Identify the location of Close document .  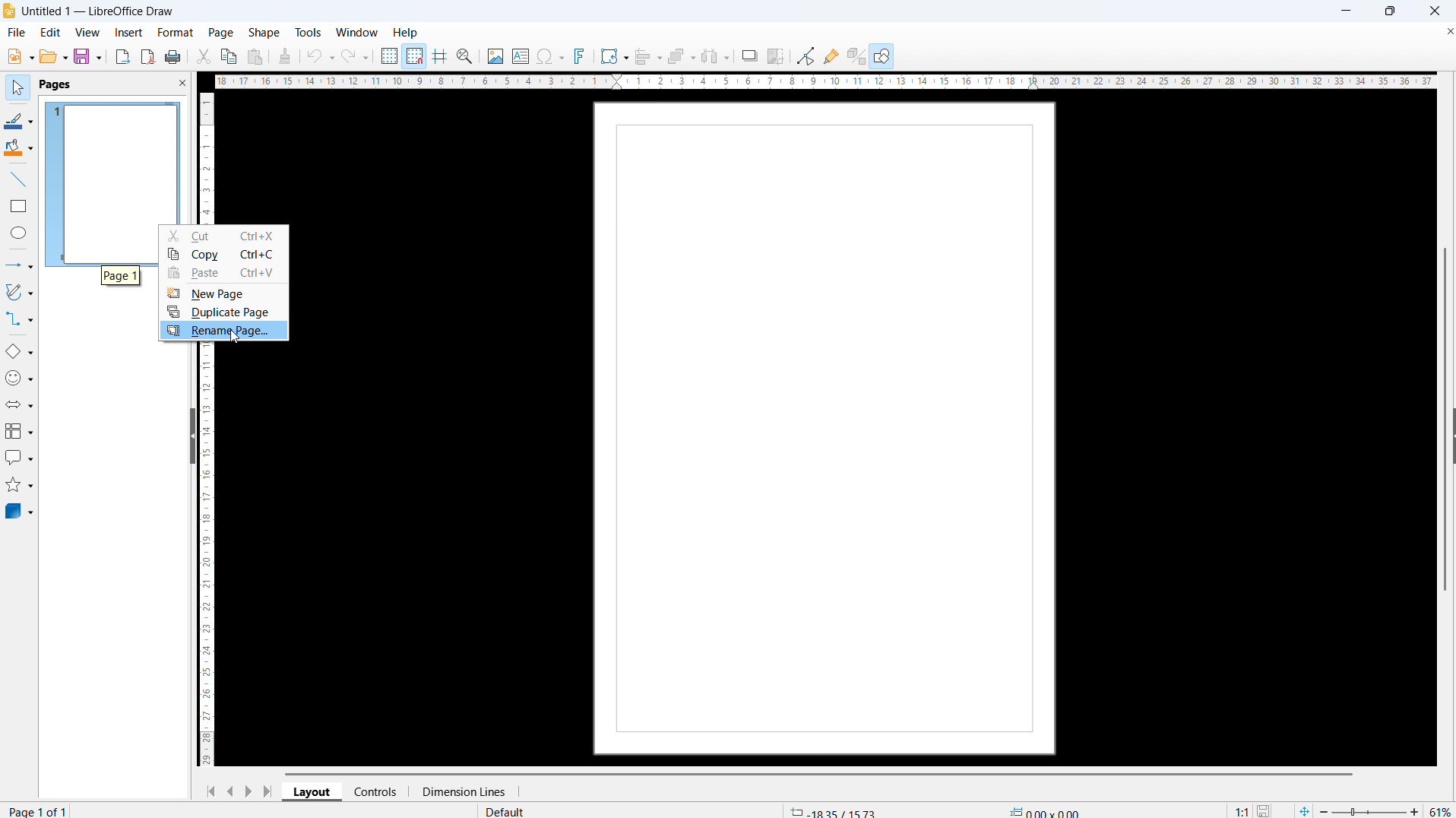
(1447, 30).